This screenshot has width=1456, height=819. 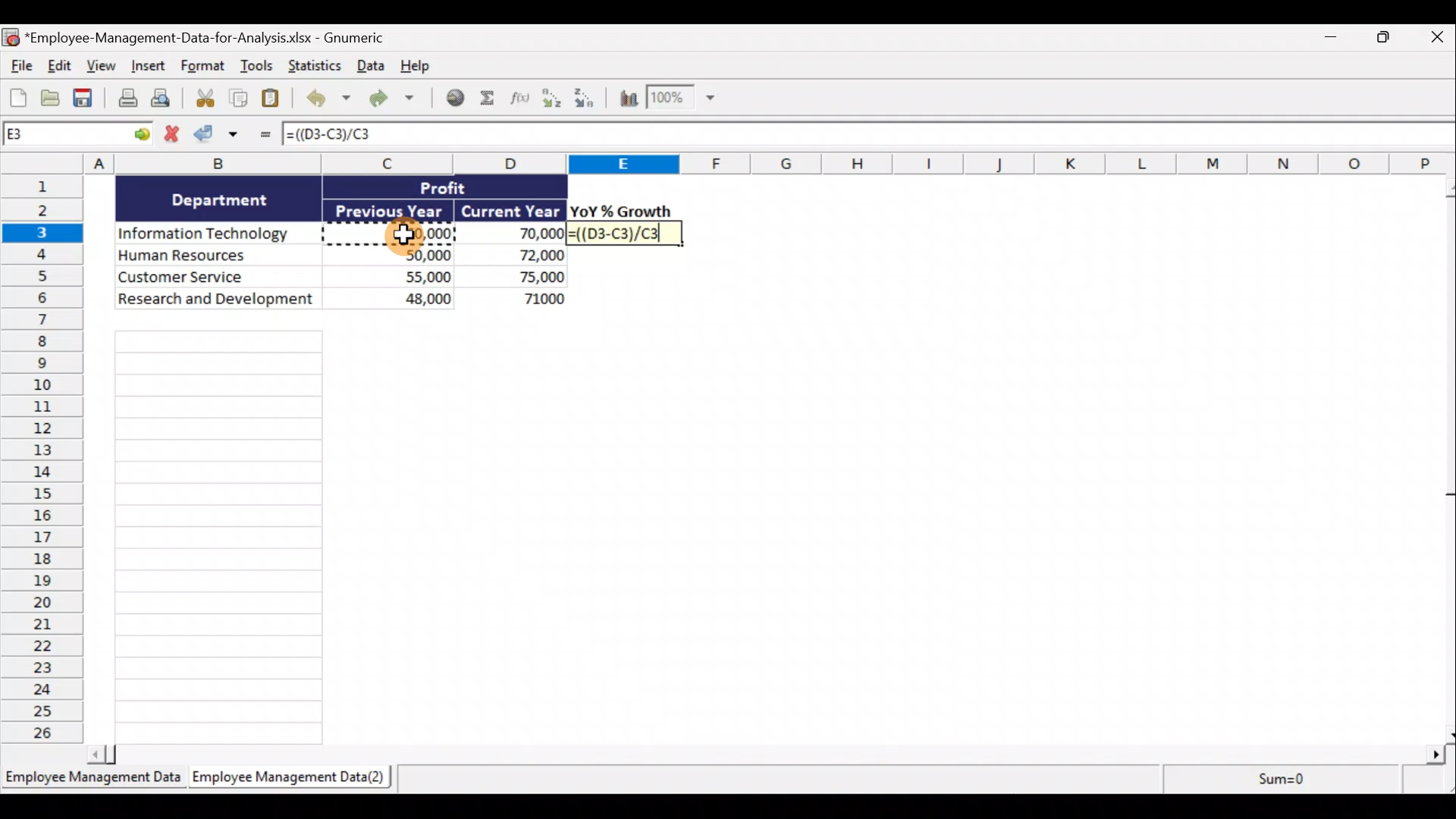 I want to click on Cancel change, so click(x=174, y=134).